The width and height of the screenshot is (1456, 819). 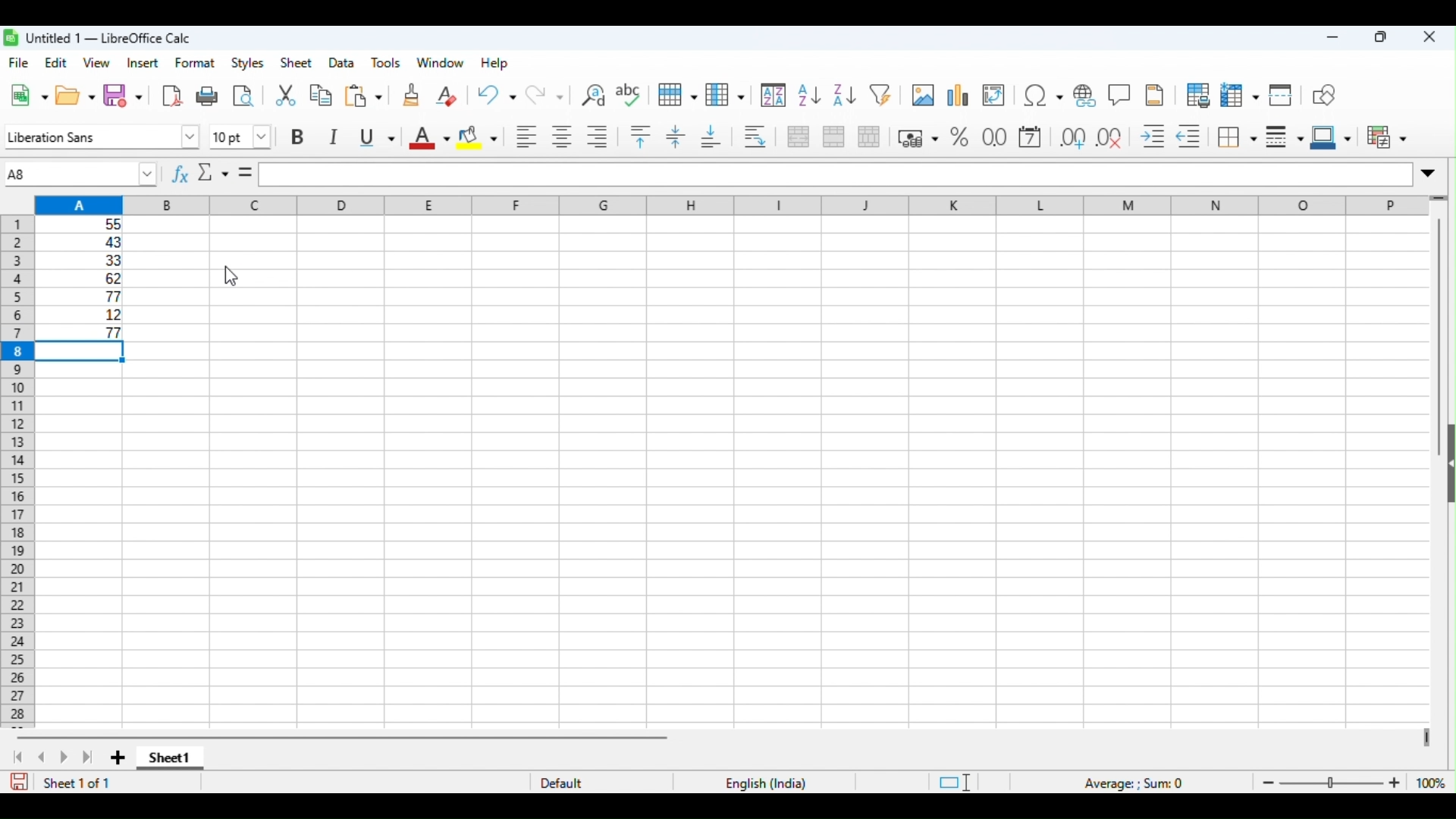 I want to click on border style, so click(x=1283, y=135).